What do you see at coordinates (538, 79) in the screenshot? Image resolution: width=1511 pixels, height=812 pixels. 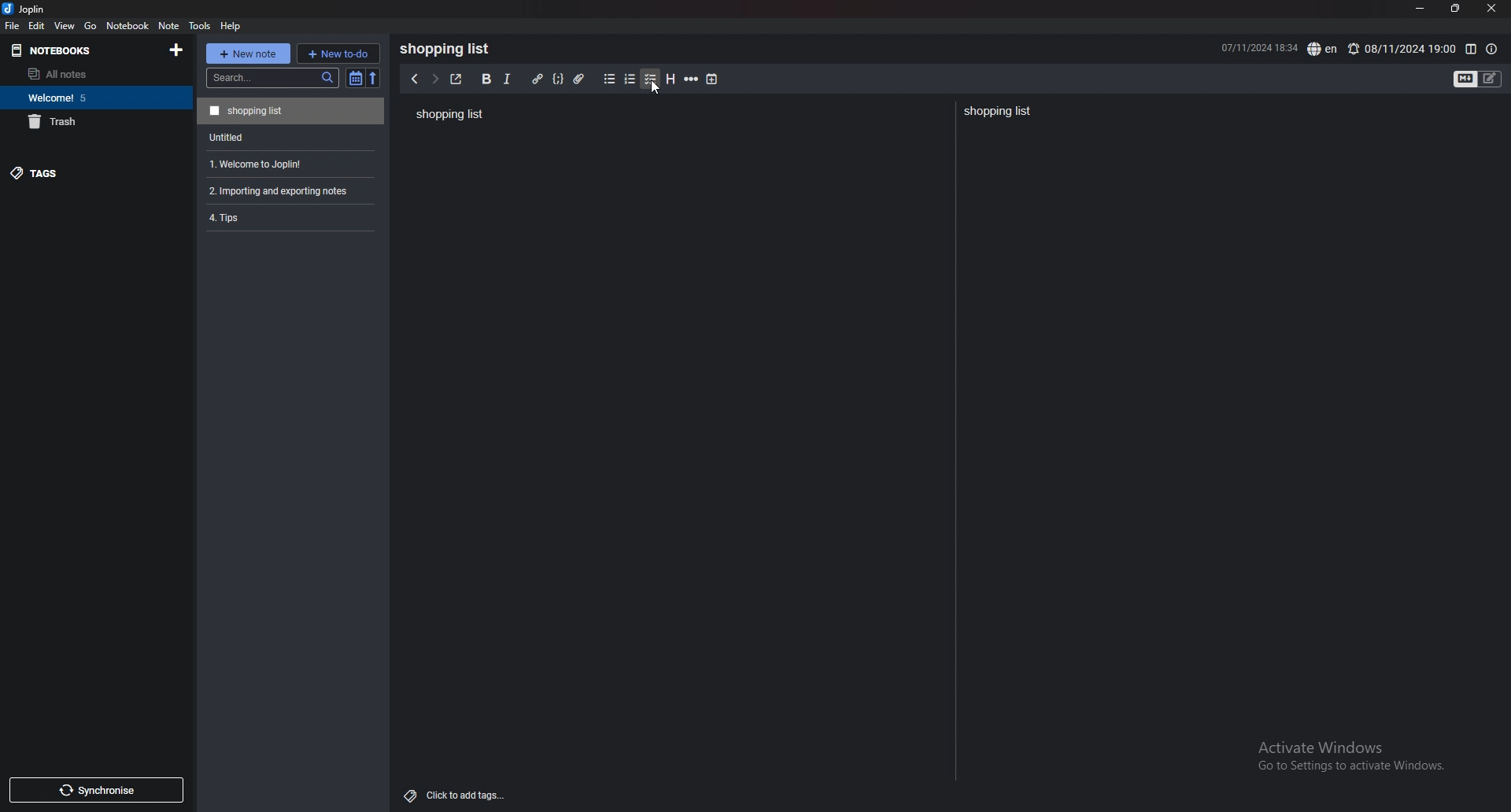 I see `hyperlink` at bounding box center [538, 79].